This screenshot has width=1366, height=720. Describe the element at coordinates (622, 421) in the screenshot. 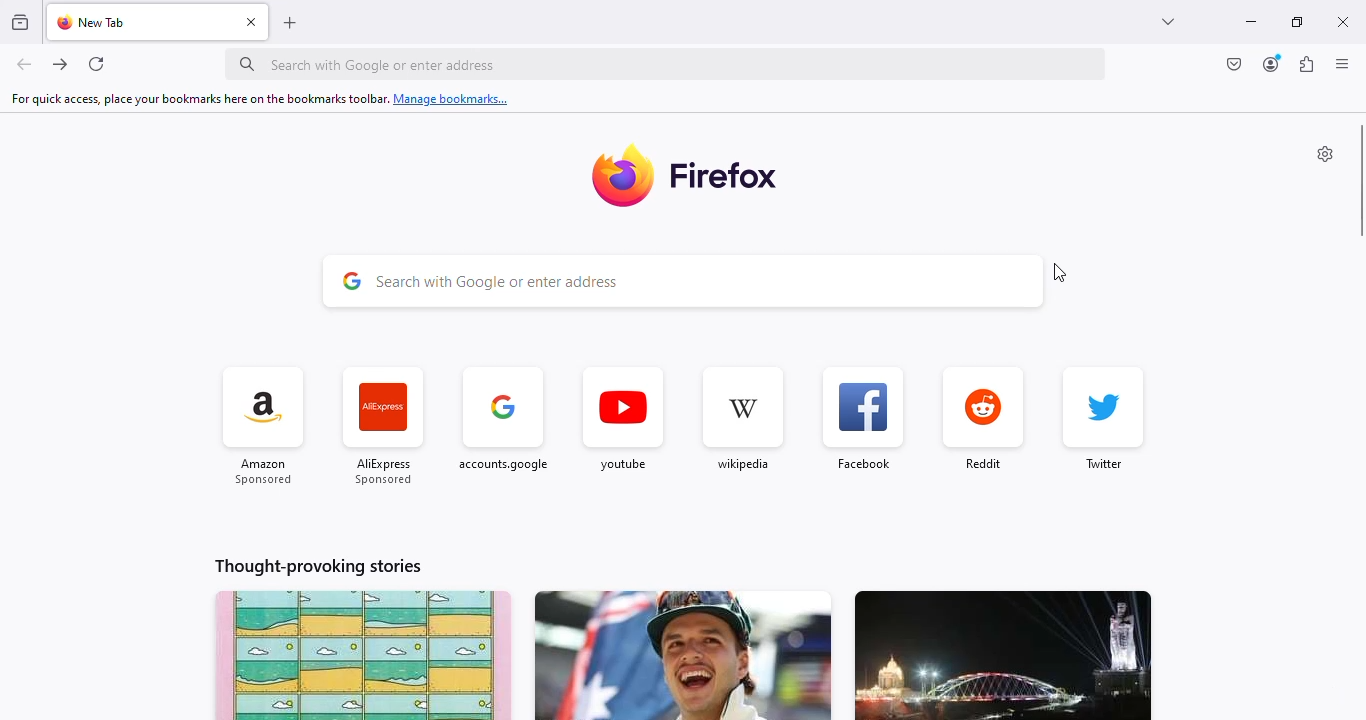

I see `youtube` at that location.